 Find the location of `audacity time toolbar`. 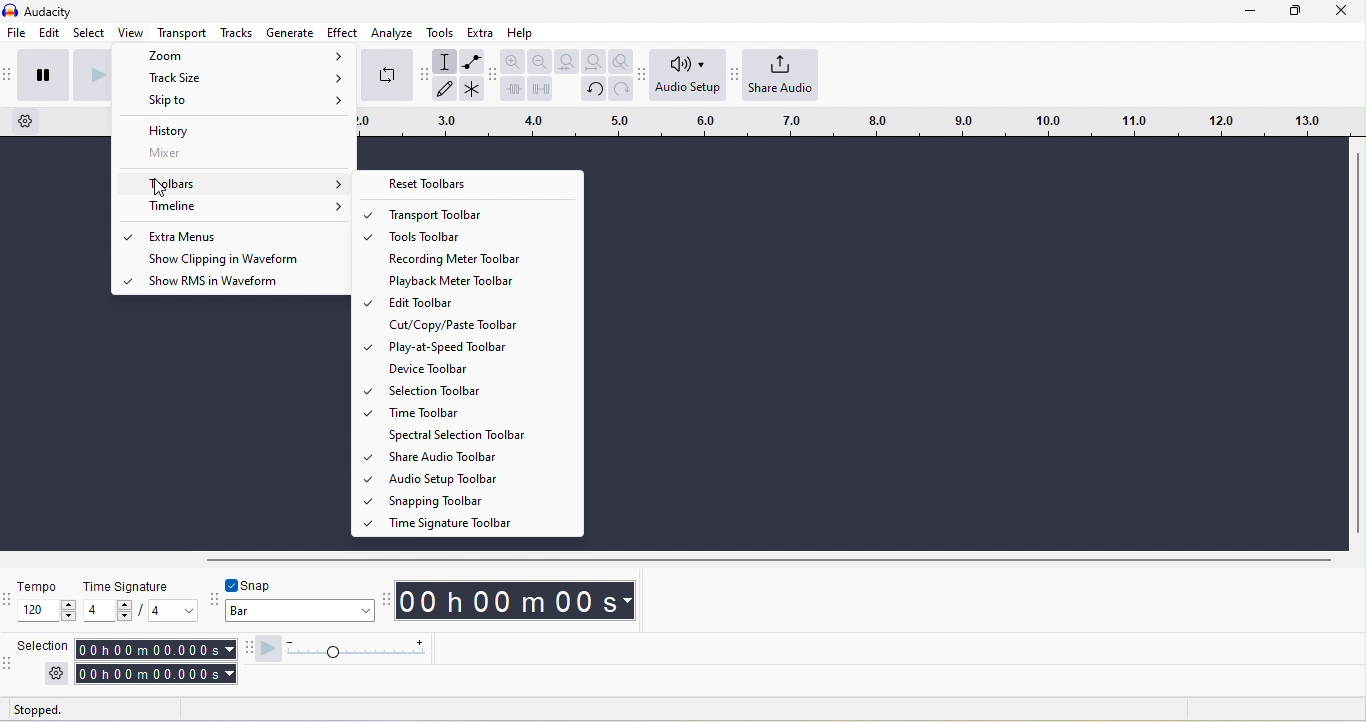

audacity time toolbar is located at coordinates (384, 602).